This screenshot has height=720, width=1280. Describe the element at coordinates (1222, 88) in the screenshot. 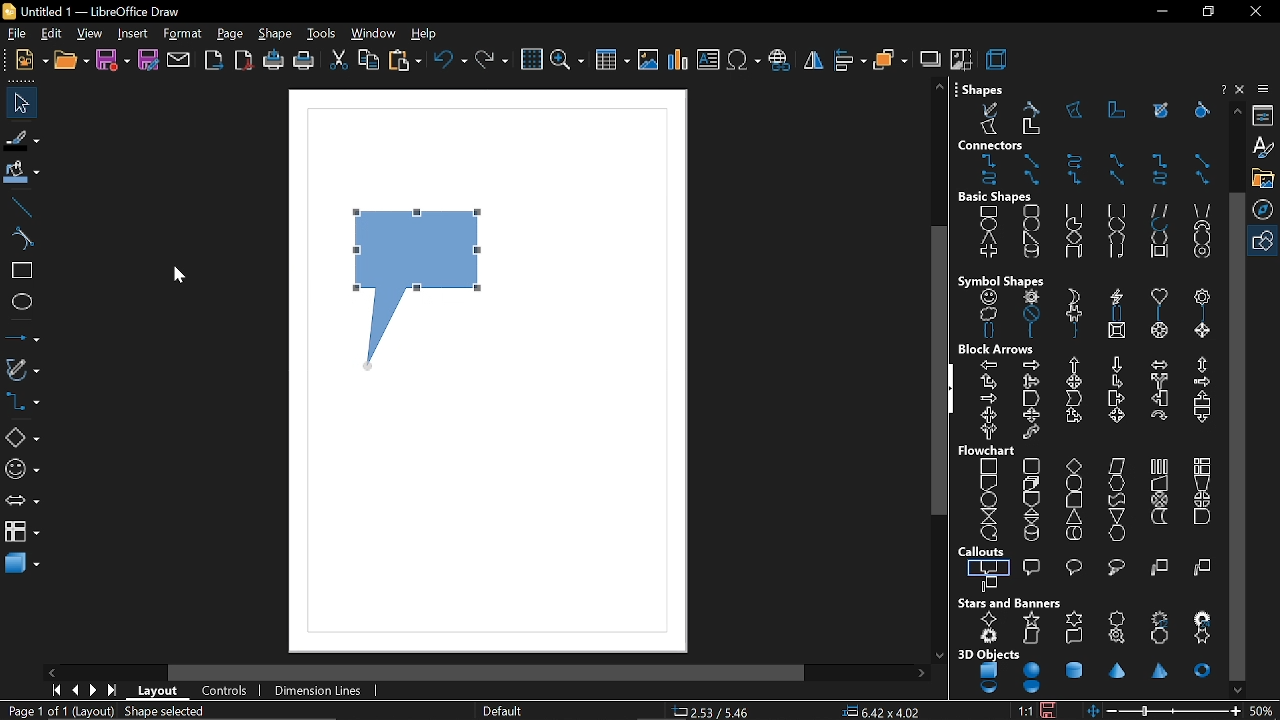

I see `help` at that location.